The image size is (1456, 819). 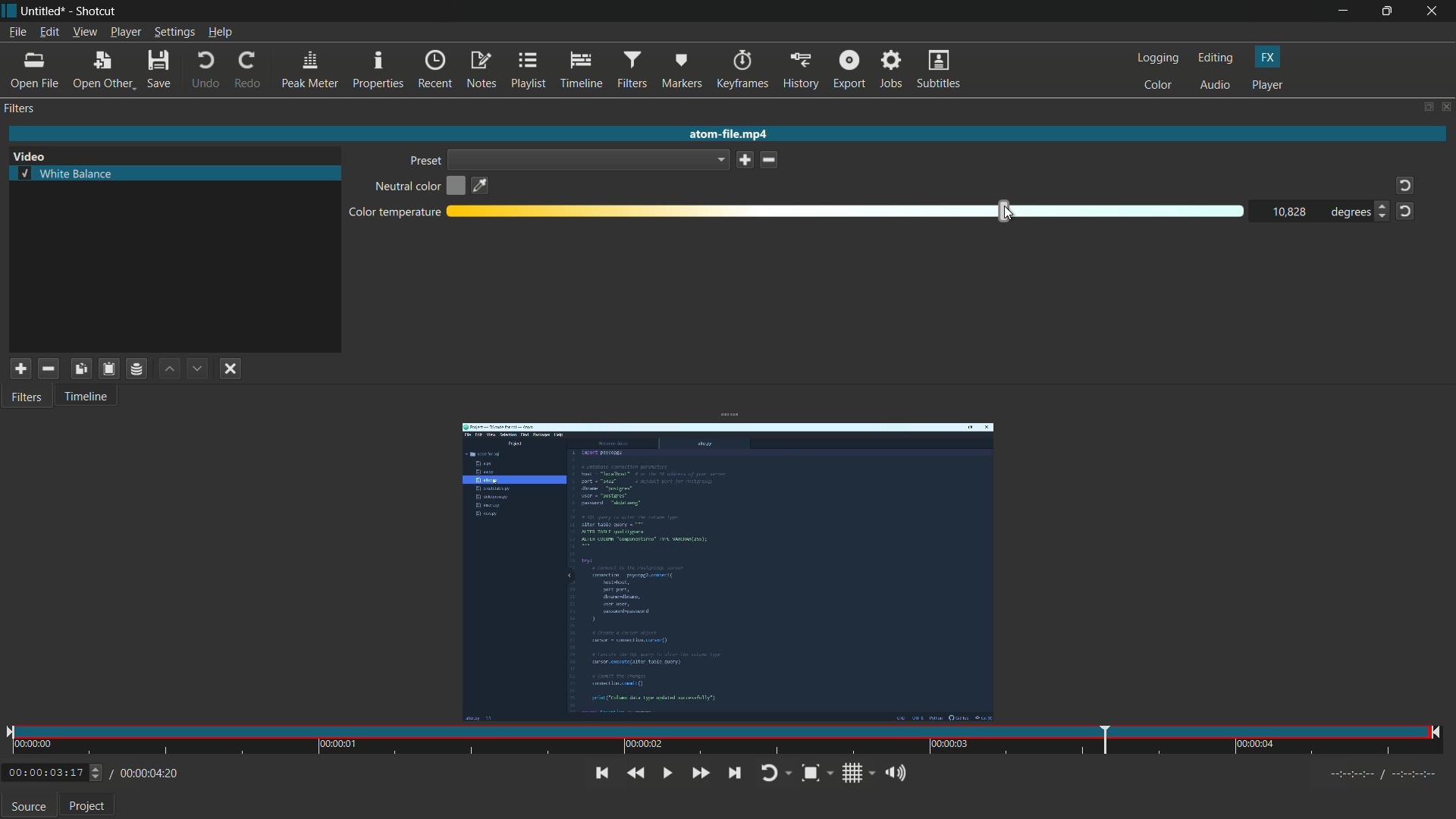 I want to click on project, so click(x=87, y=808).